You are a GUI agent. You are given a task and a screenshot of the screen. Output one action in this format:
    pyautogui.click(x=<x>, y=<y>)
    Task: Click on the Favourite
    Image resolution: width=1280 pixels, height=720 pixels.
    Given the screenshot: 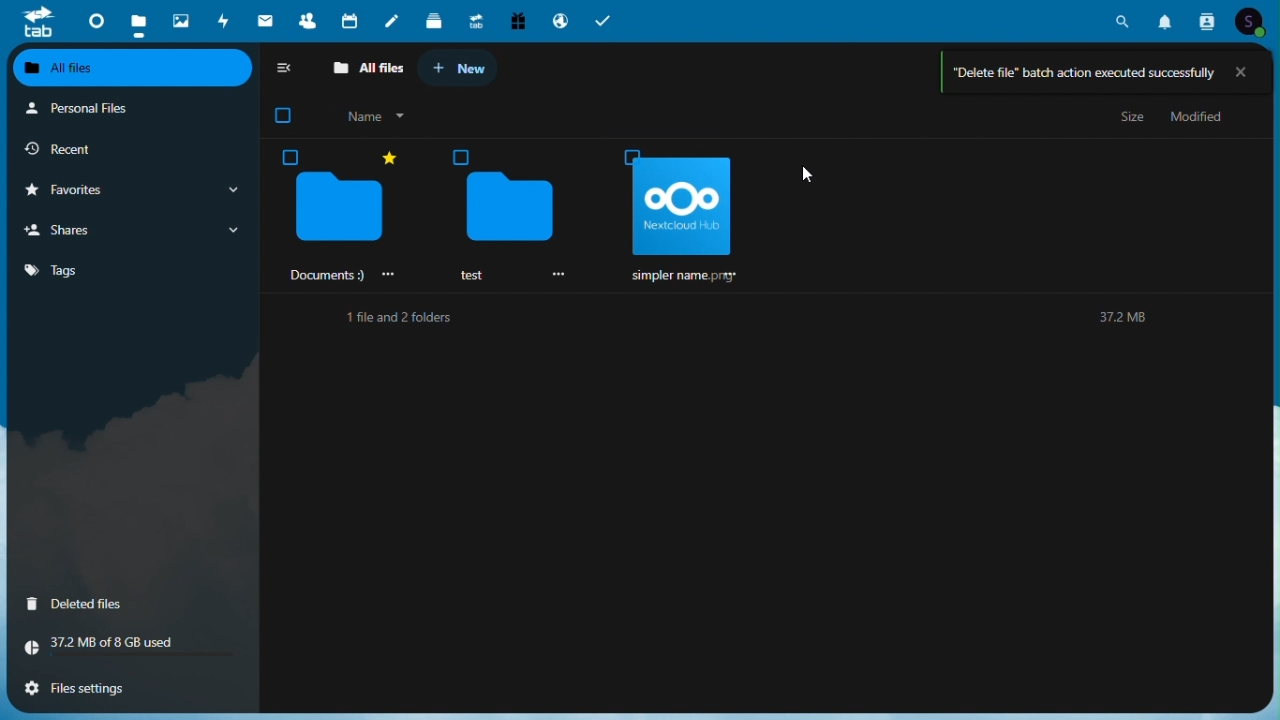 What is the action you would take?
    pyautogui.click(x=130, y=192)
    